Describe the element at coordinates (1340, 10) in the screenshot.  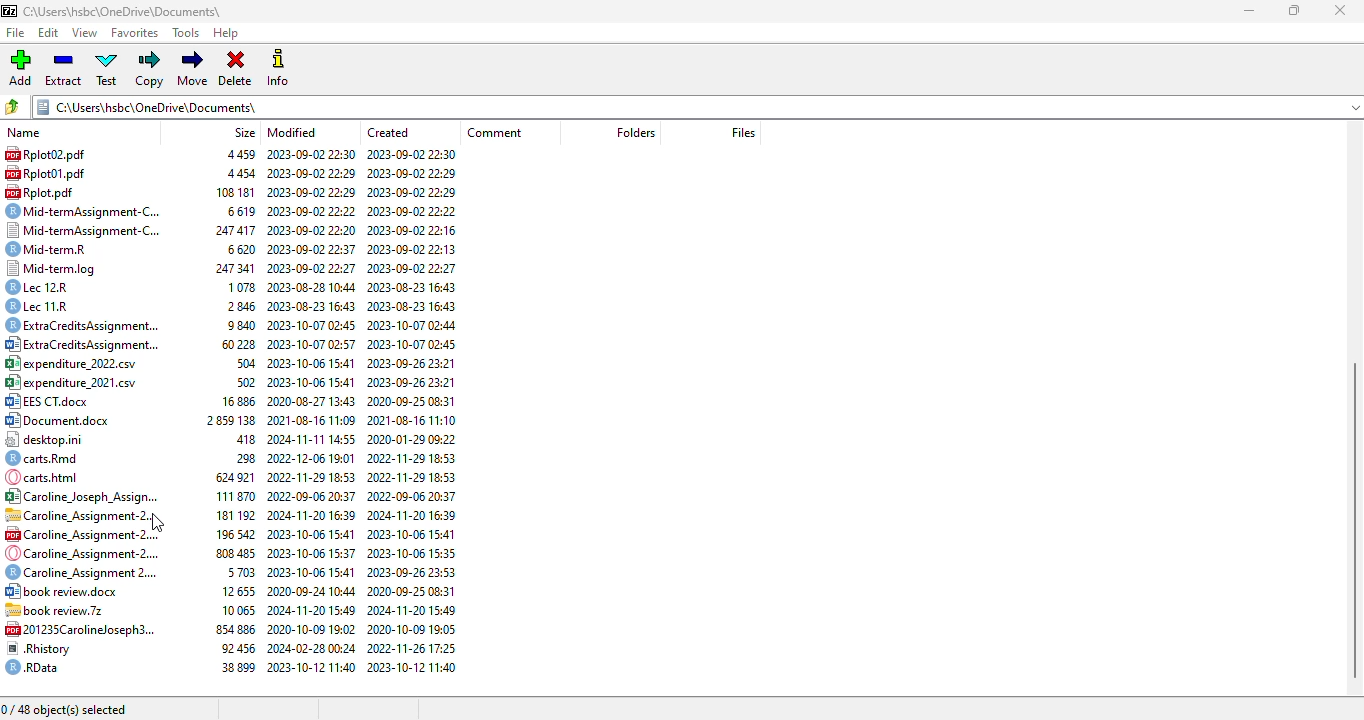
I see `close` at that location.